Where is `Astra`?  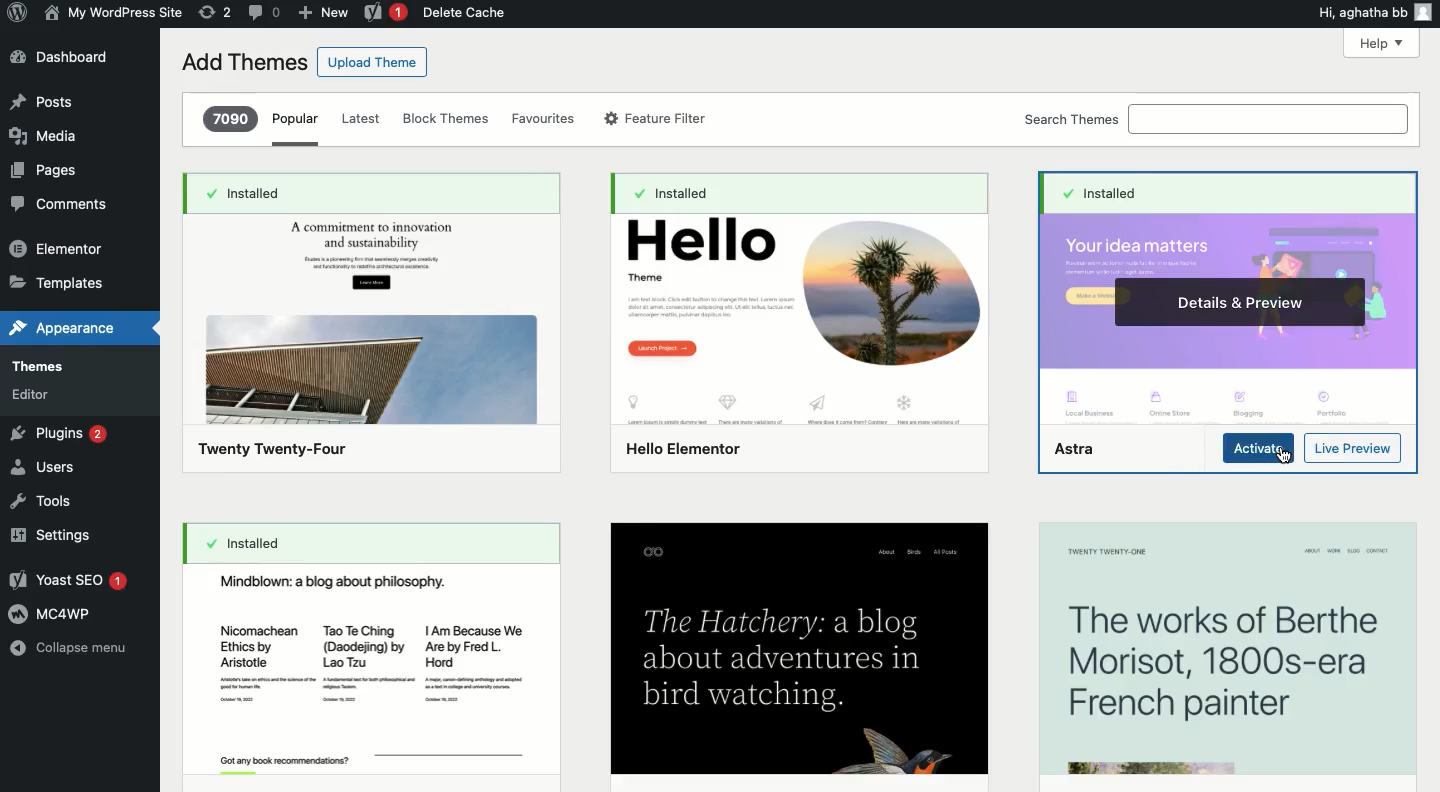
Astra is located at coordinates (1073, 451).